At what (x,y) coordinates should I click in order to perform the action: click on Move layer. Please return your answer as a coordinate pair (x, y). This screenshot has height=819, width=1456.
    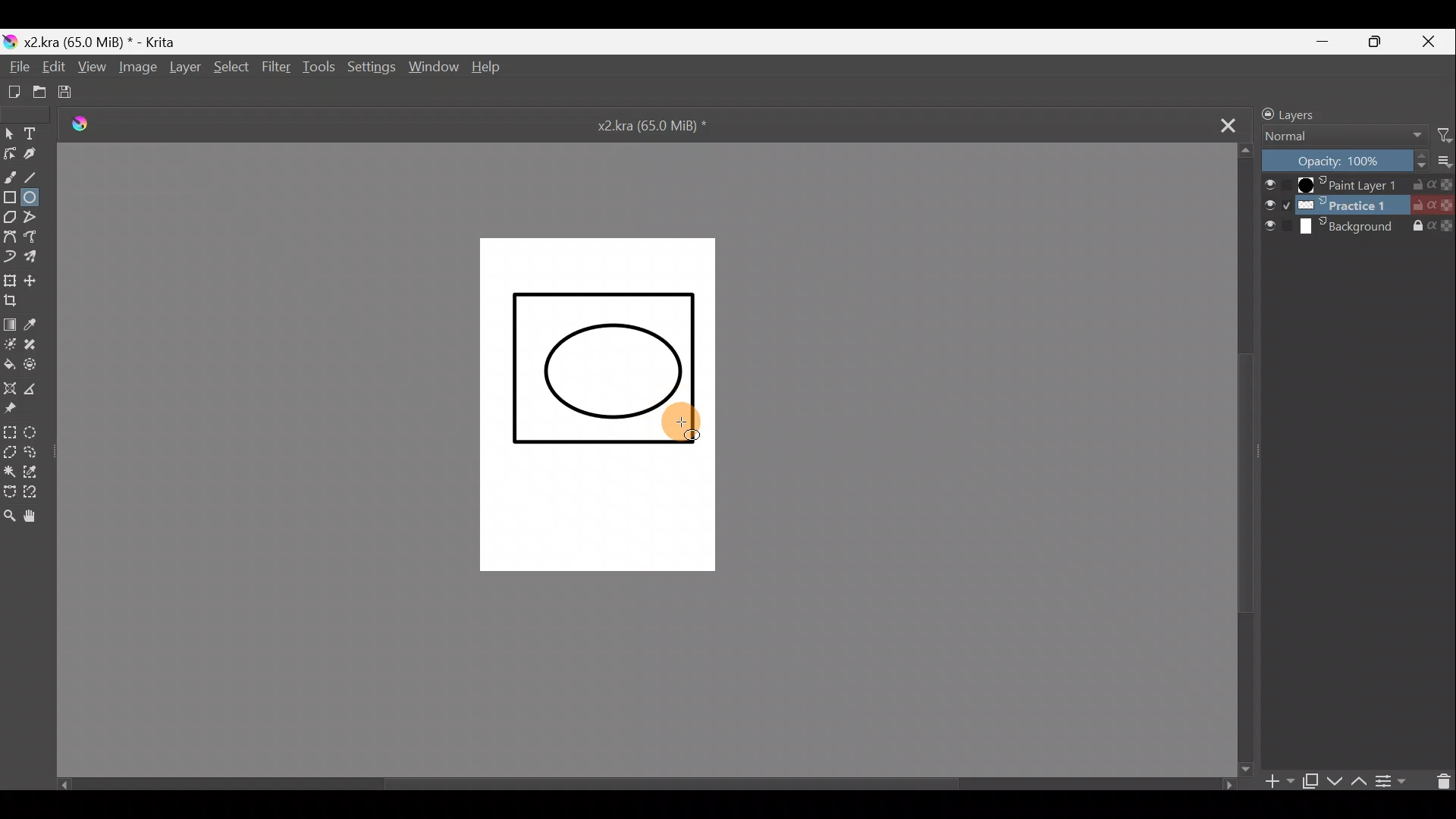
    Looking at the image, I should click on (38, 281).